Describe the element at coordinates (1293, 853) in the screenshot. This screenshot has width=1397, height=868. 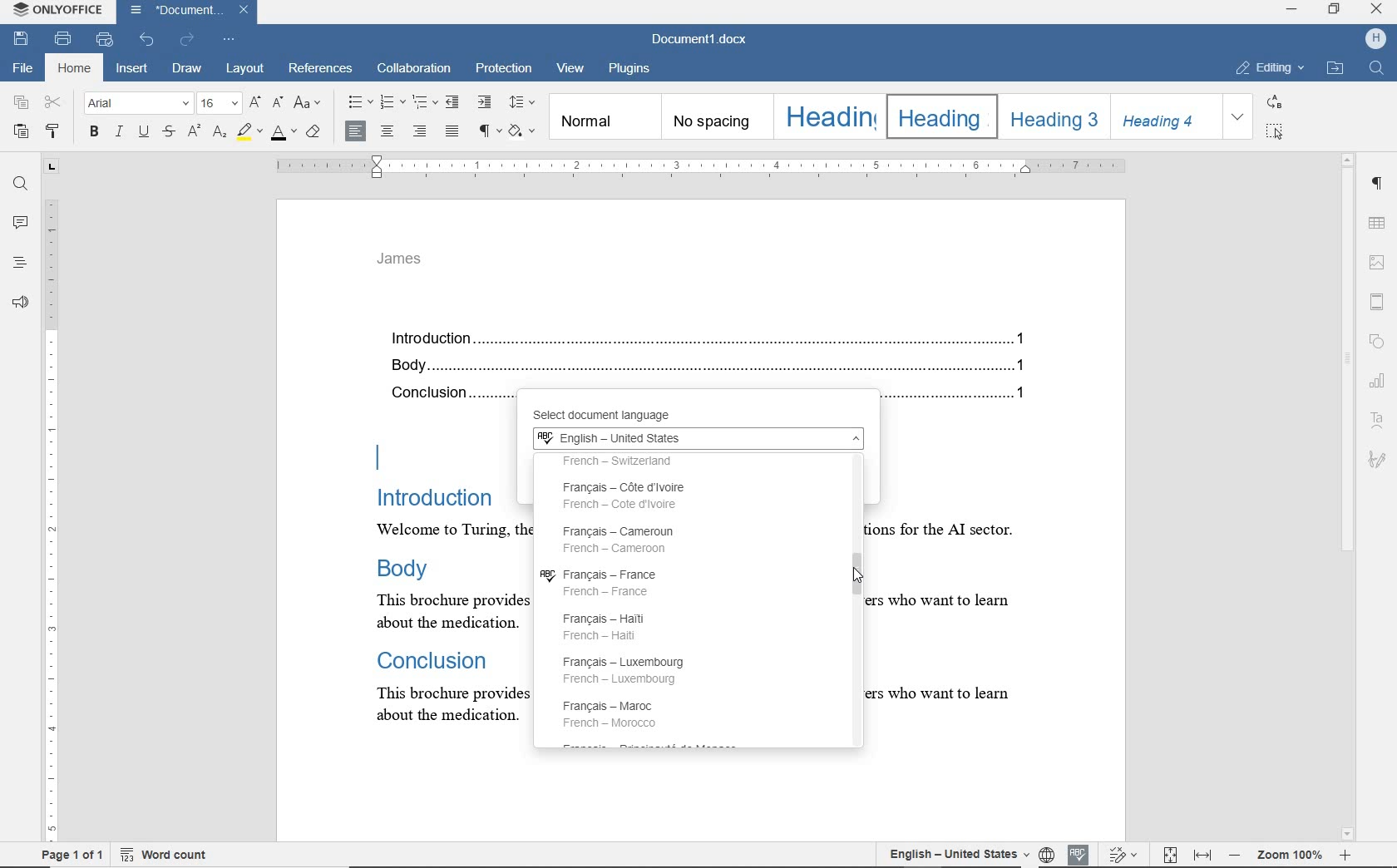
I see `zoom out or zoom in` at that location.